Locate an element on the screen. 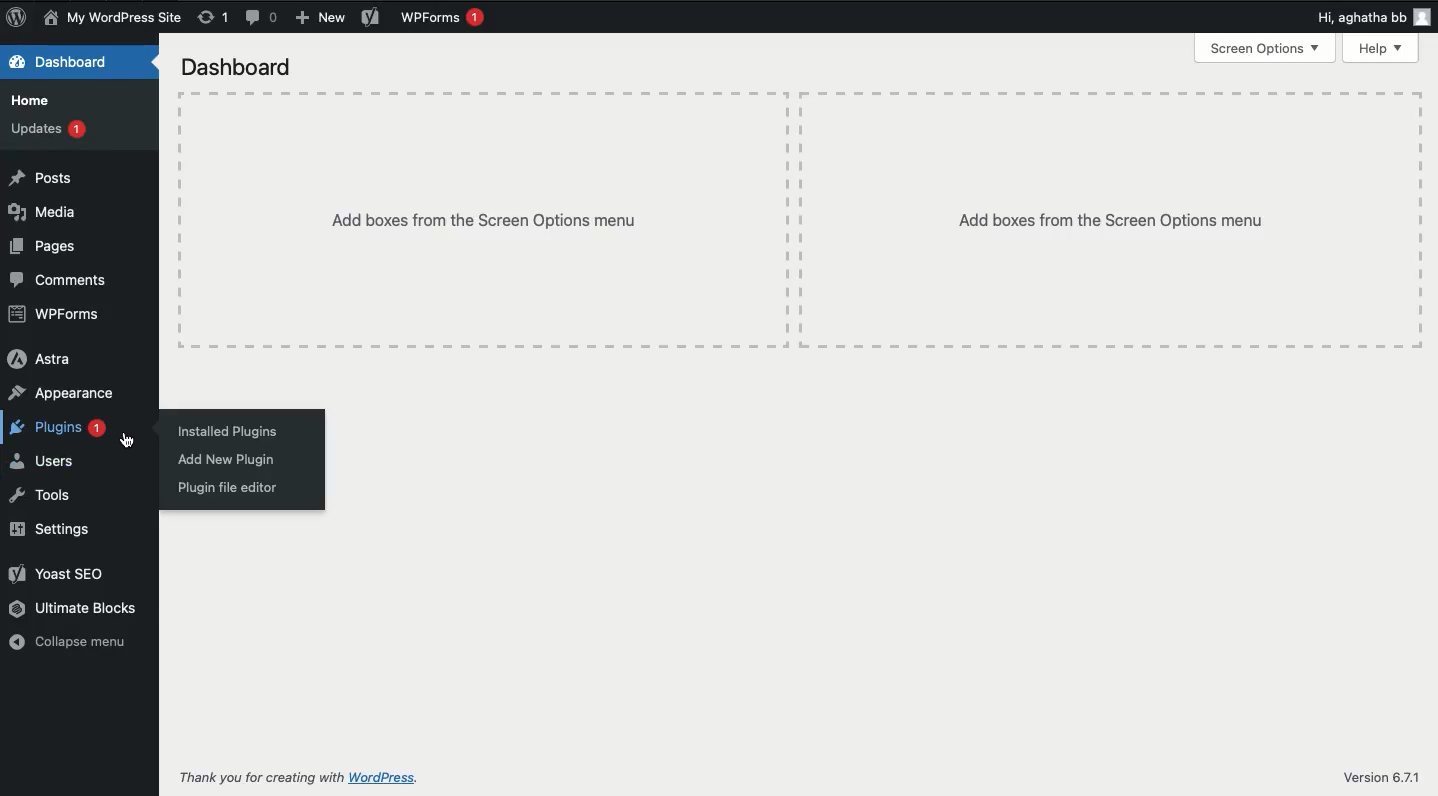  Dashboard is located at coordinates (237, 70).